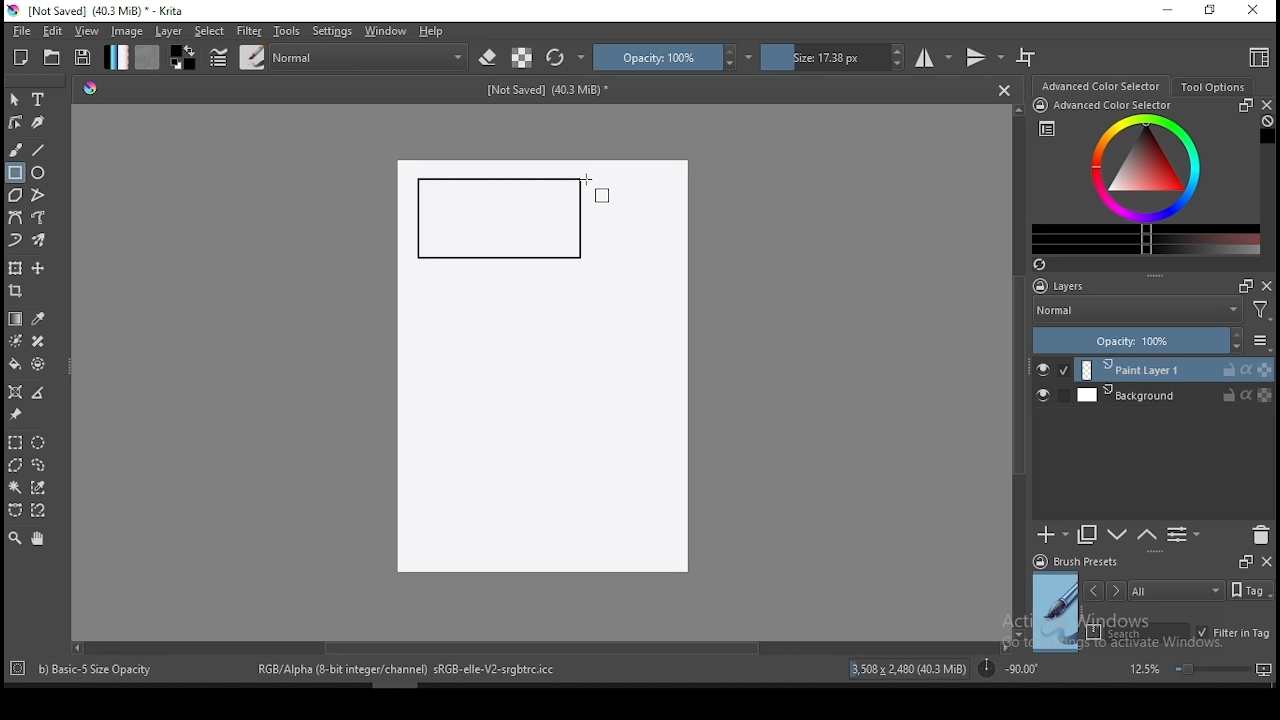 This screenshot has height=720, width=1280. Describe the element at coordinates (1004, 89) in the screenshot. I see `Close` at that location.